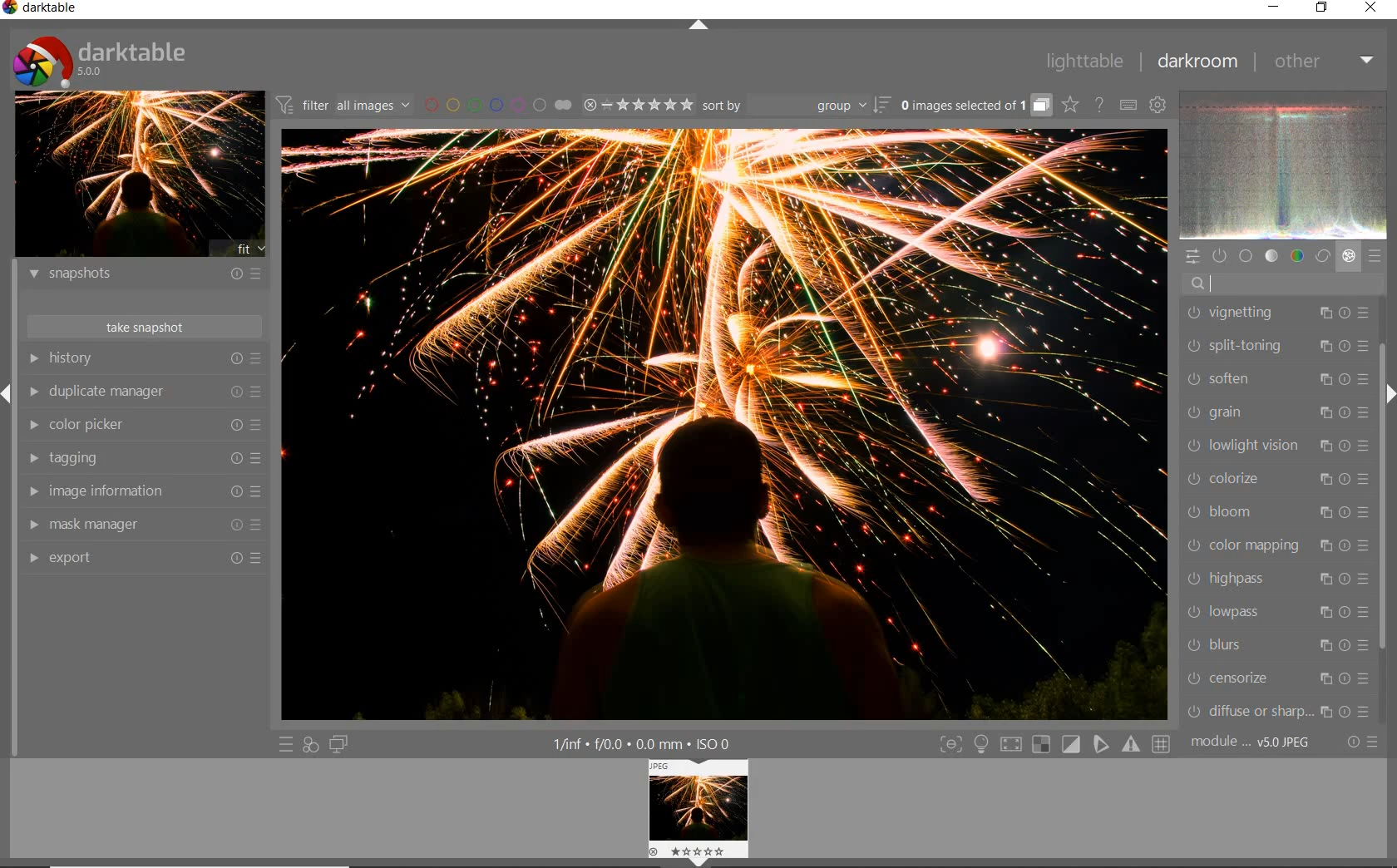 The width and height of the screenshot is (1397, 868). What do you see at coordinates (1082, 60) in the screenshot?
I see `lighttable` at bounding box center [1082, 60].